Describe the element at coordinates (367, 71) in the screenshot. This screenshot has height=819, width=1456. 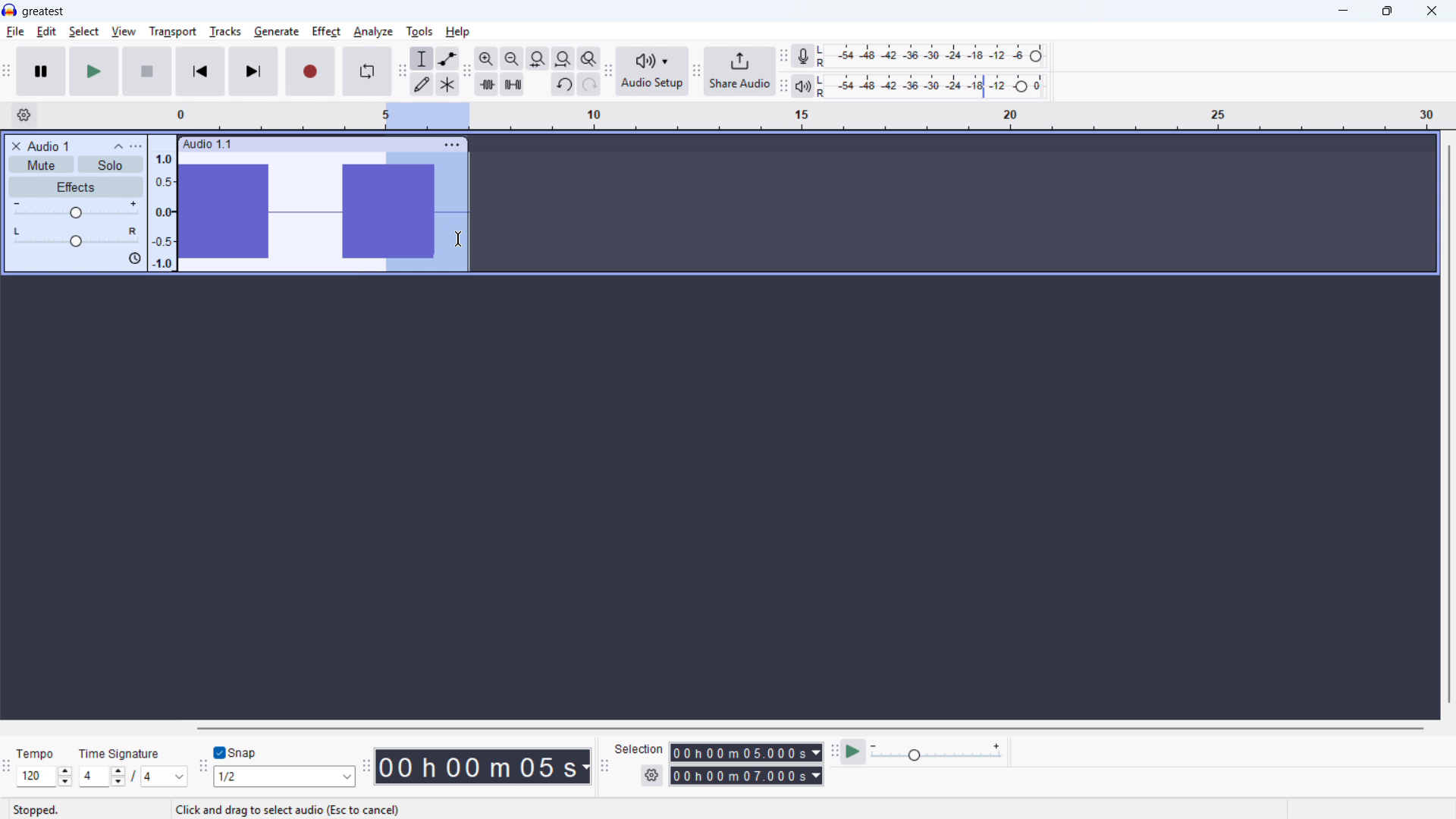
I see `Enable looping ` at that location.